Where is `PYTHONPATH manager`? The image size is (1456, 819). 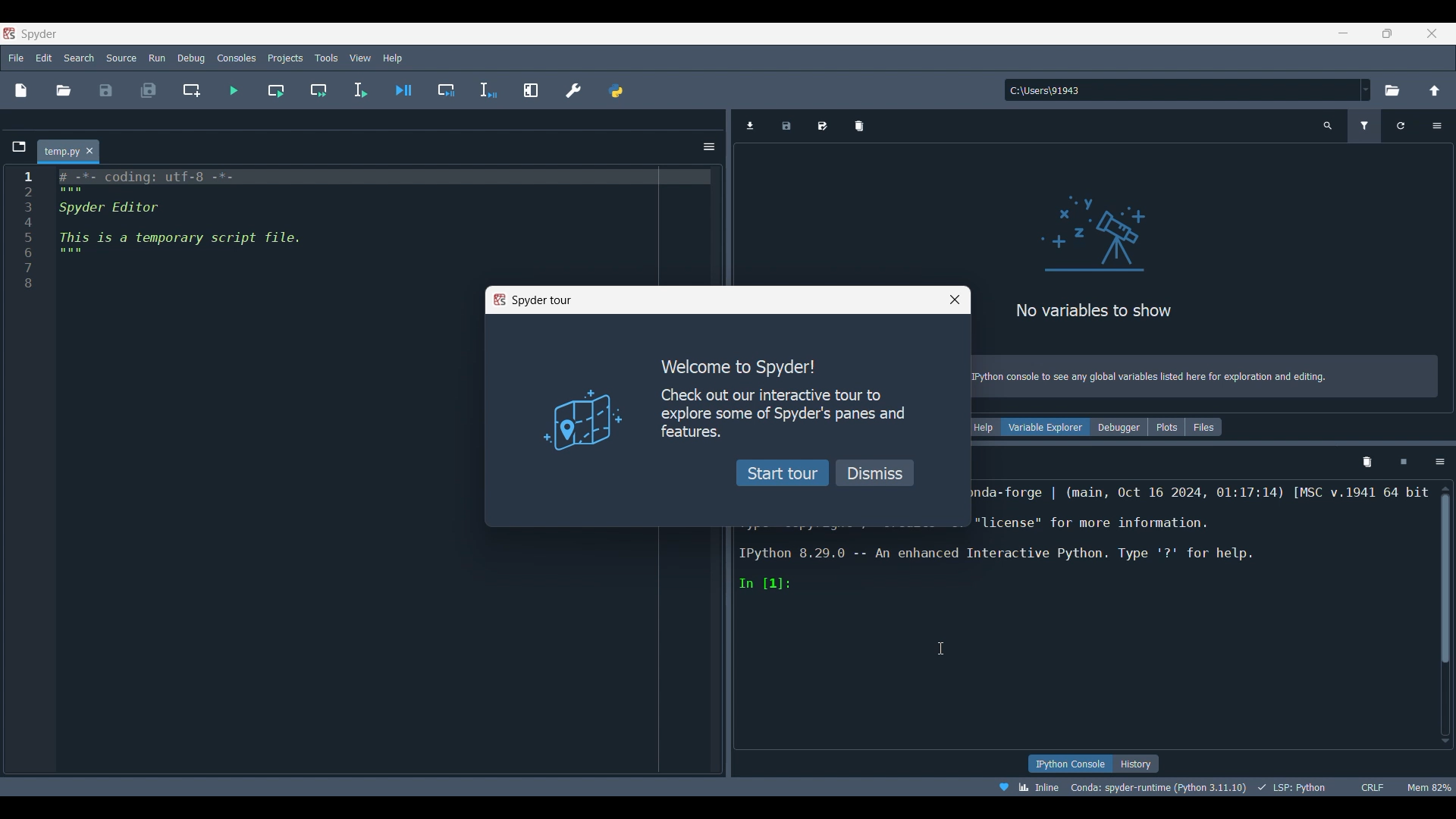 PYTHONPATH manager is located at coordinates (617, 90).